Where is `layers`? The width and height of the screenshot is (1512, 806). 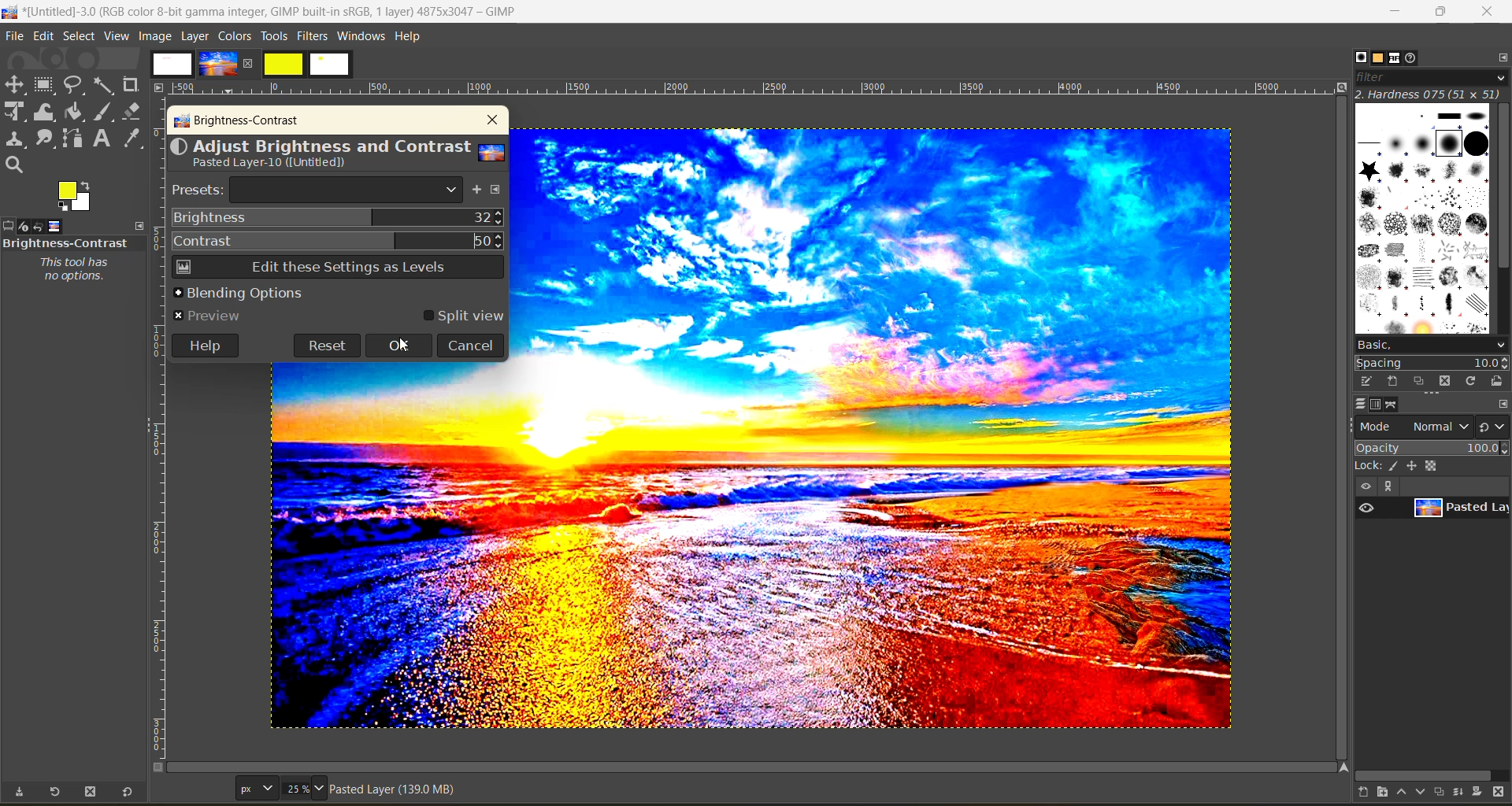 layers is located at coordinates (1360, 404).